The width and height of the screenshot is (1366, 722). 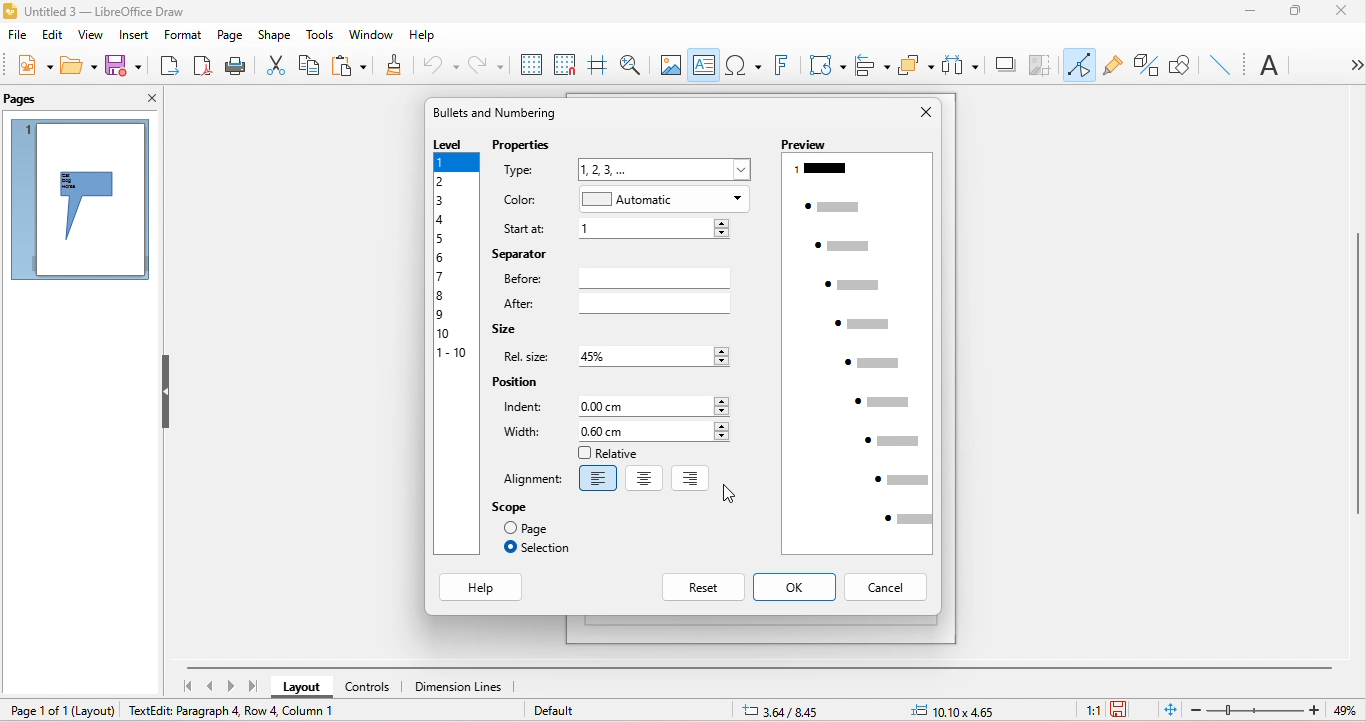 What do you see at coordinates (870, 63) in the screenshot?
I see `align object` at bounding box center [870, 63].